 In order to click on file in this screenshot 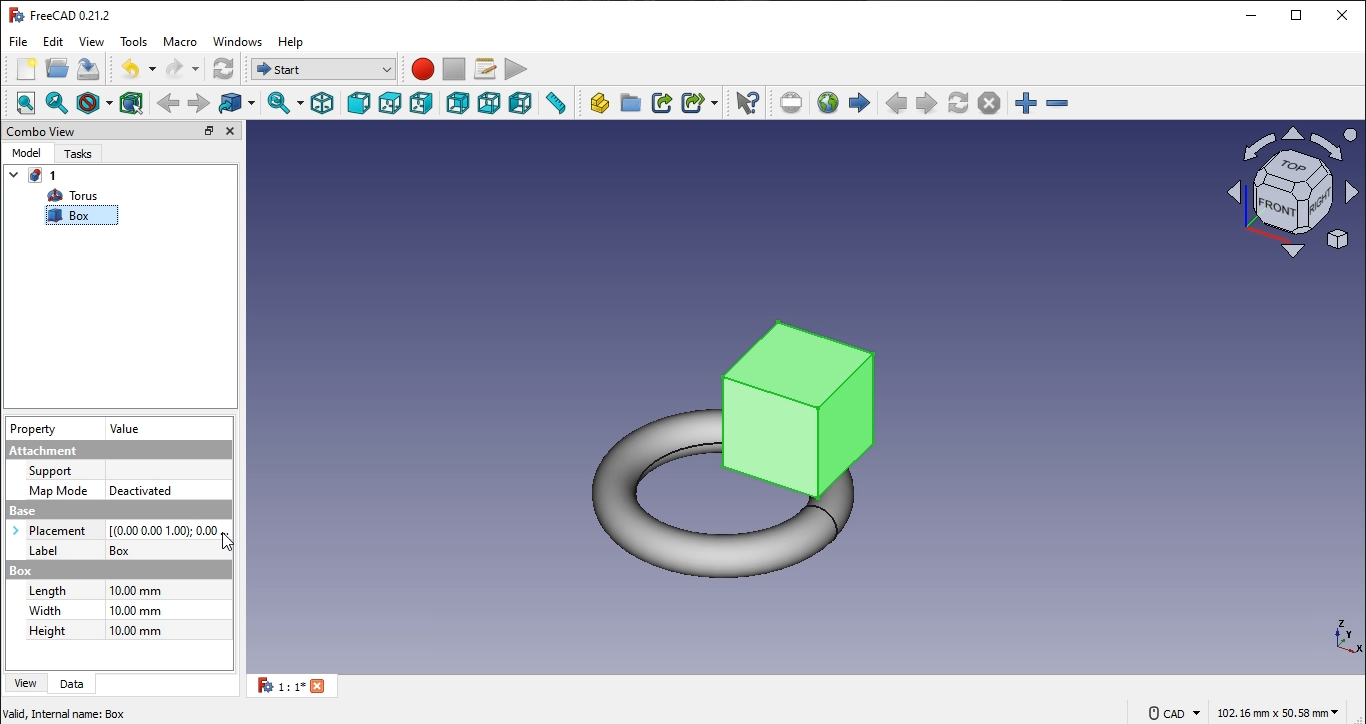, I will do `click(21, 41)`.